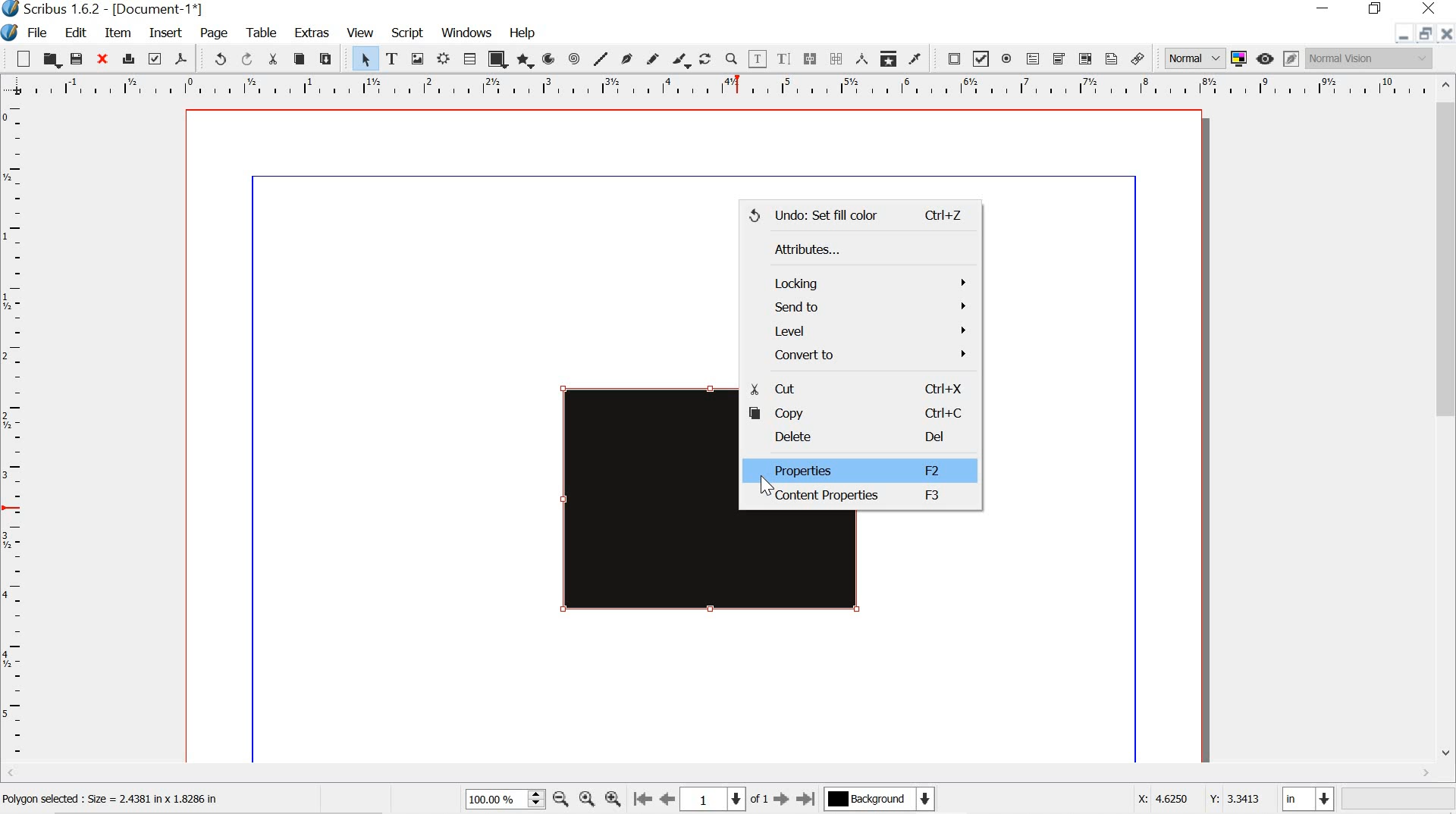 The width and height of the screenshot is (1456, 814). Describe the element at coordinates (628, 58) in the screenshot. I see `bezier curve` at that location.